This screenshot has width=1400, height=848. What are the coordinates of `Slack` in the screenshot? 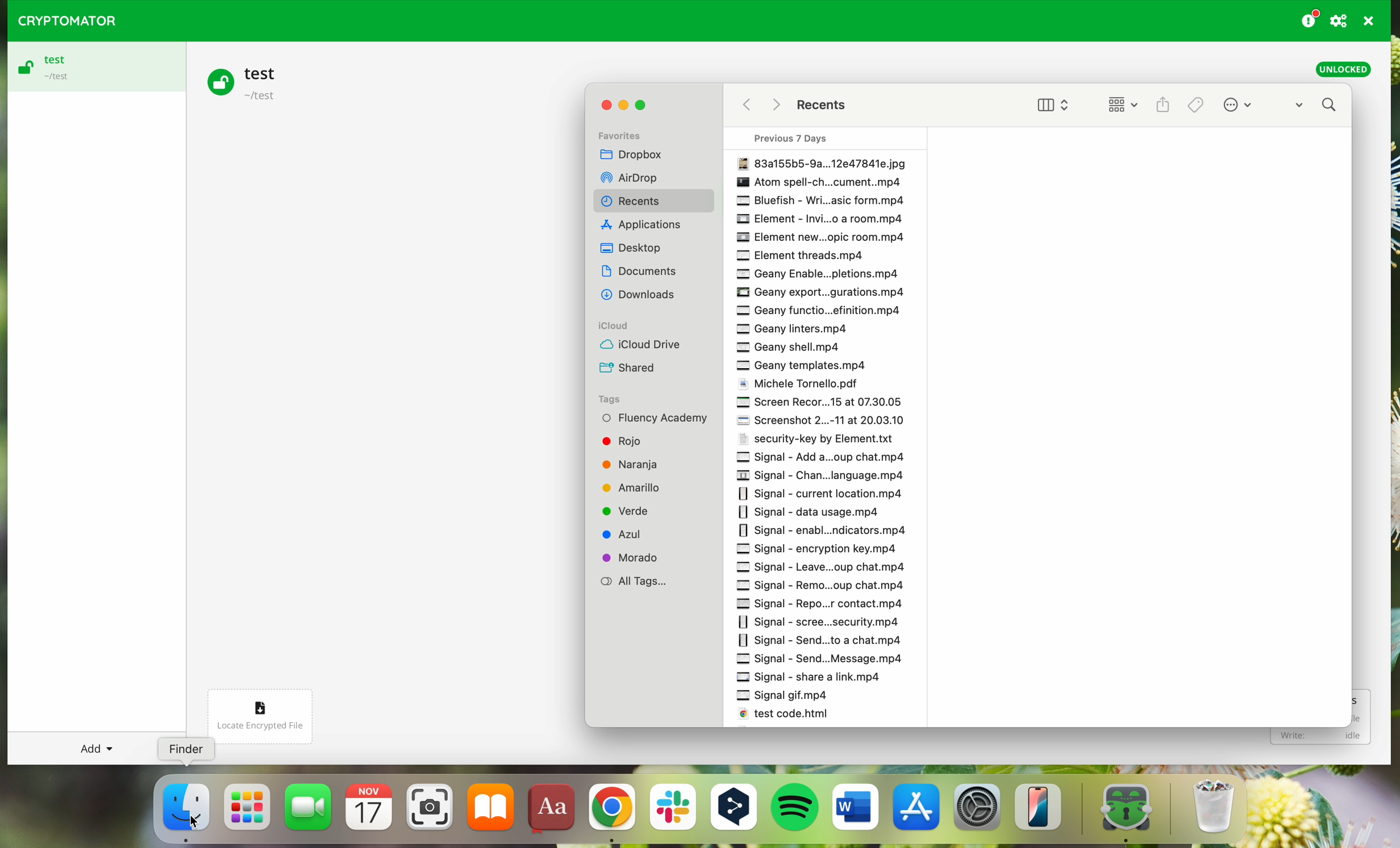 It's located at (672, 812).